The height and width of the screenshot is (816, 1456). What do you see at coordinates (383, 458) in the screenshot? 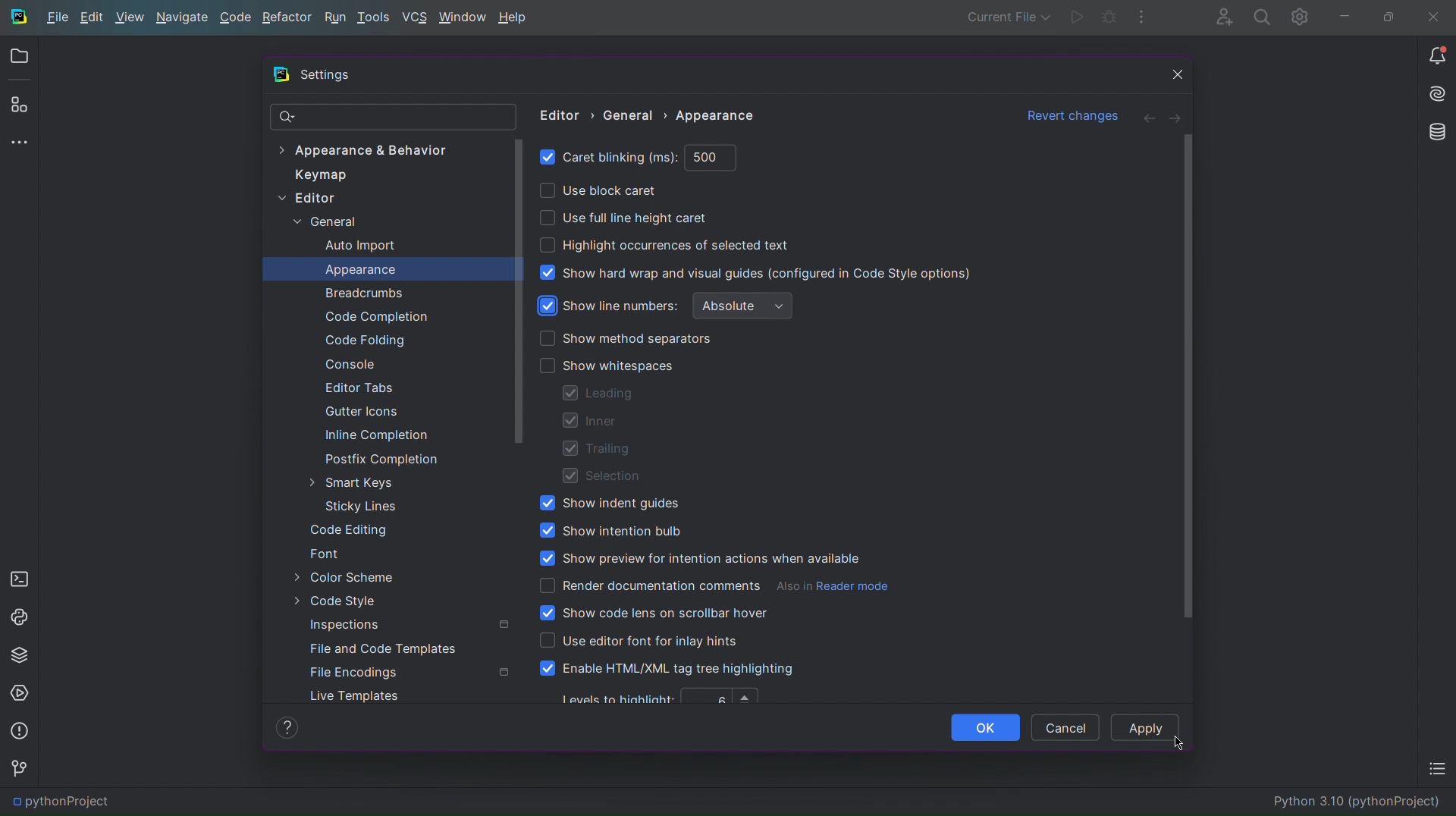
I see `Postfix Completion` at bounding box center [383, 458].